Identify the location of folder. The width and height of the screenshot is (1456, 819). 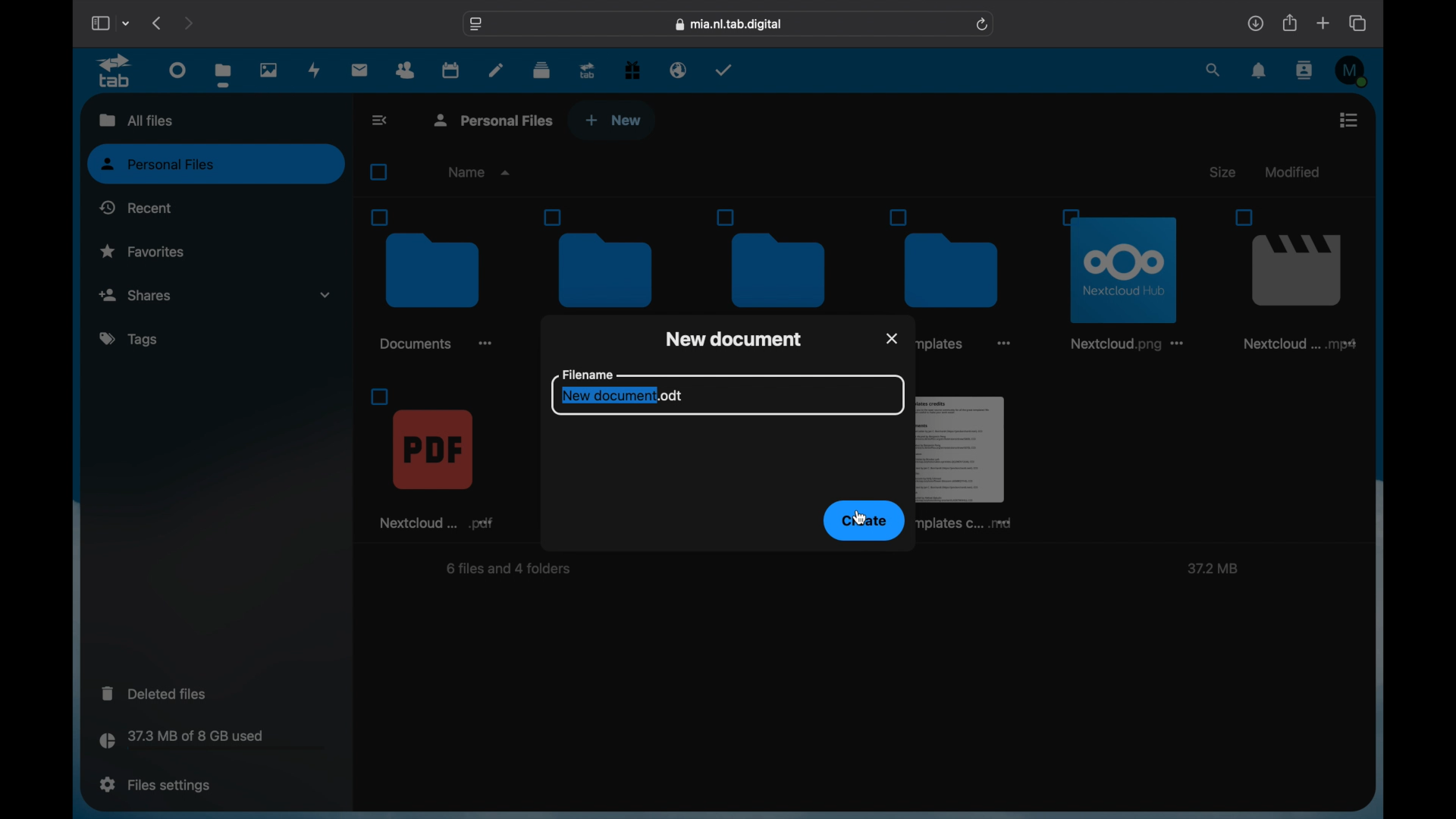
(954, 257).